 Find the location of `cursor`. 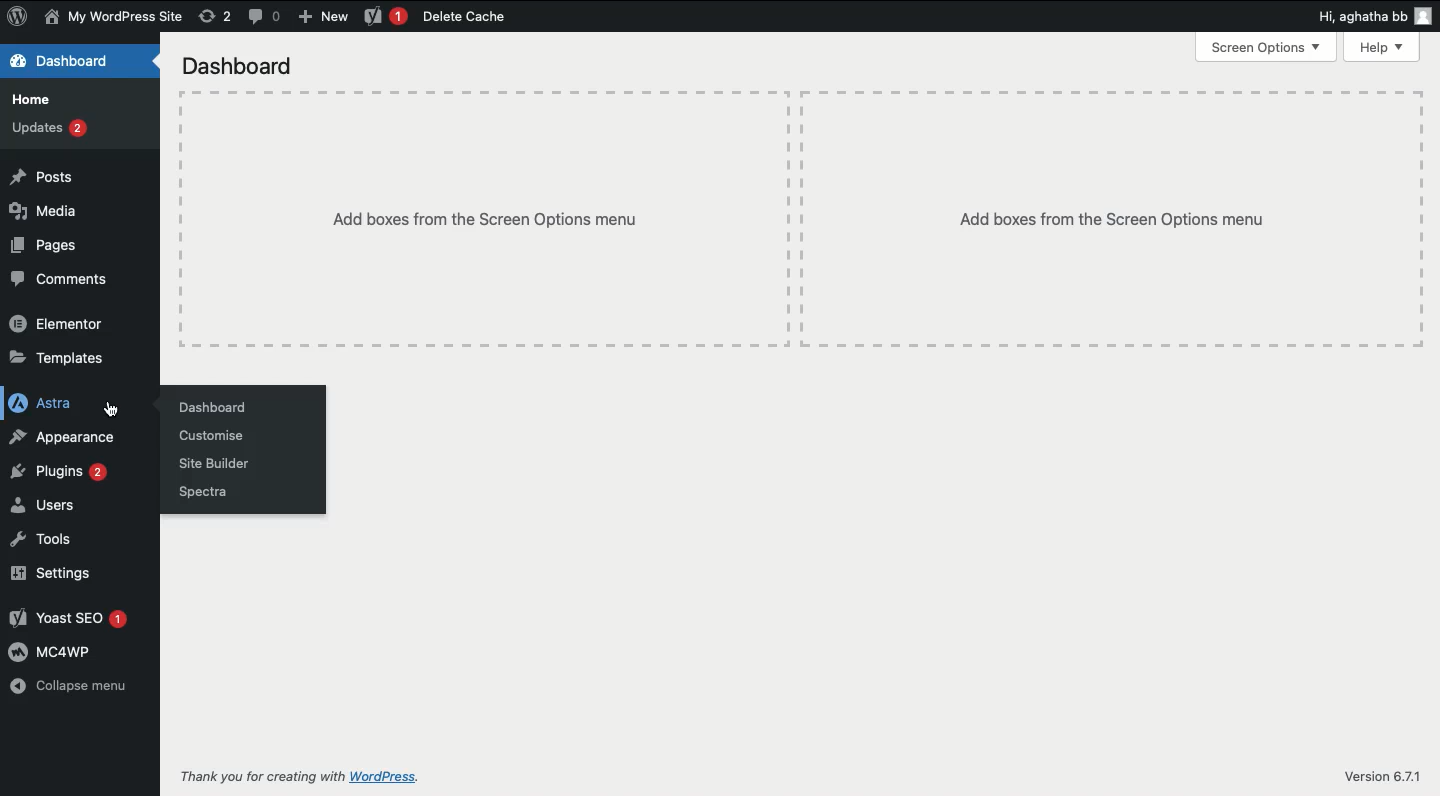

cursor is located at coordinates (109, 408).